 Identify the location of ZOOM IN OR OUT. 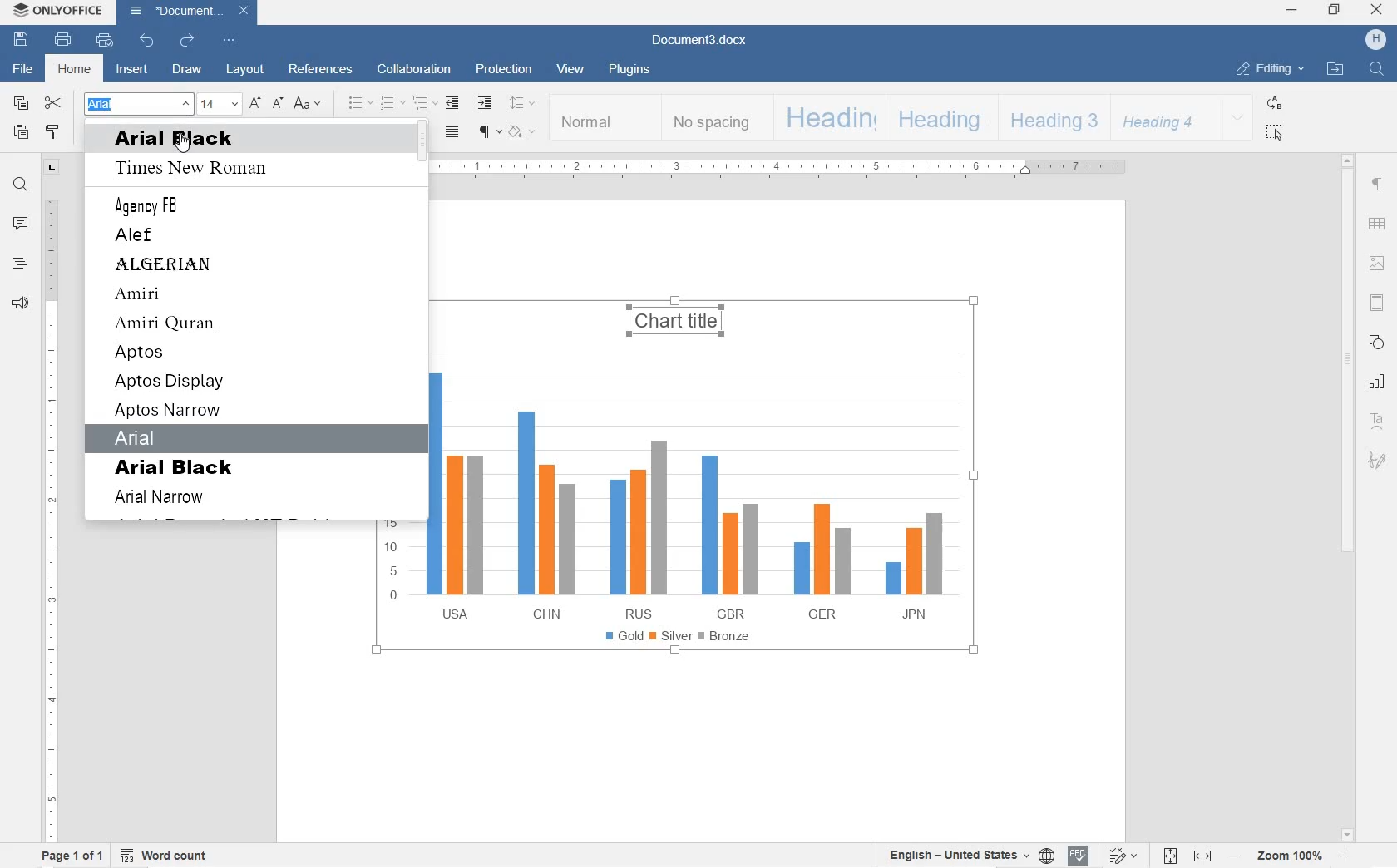
(1292, 854).